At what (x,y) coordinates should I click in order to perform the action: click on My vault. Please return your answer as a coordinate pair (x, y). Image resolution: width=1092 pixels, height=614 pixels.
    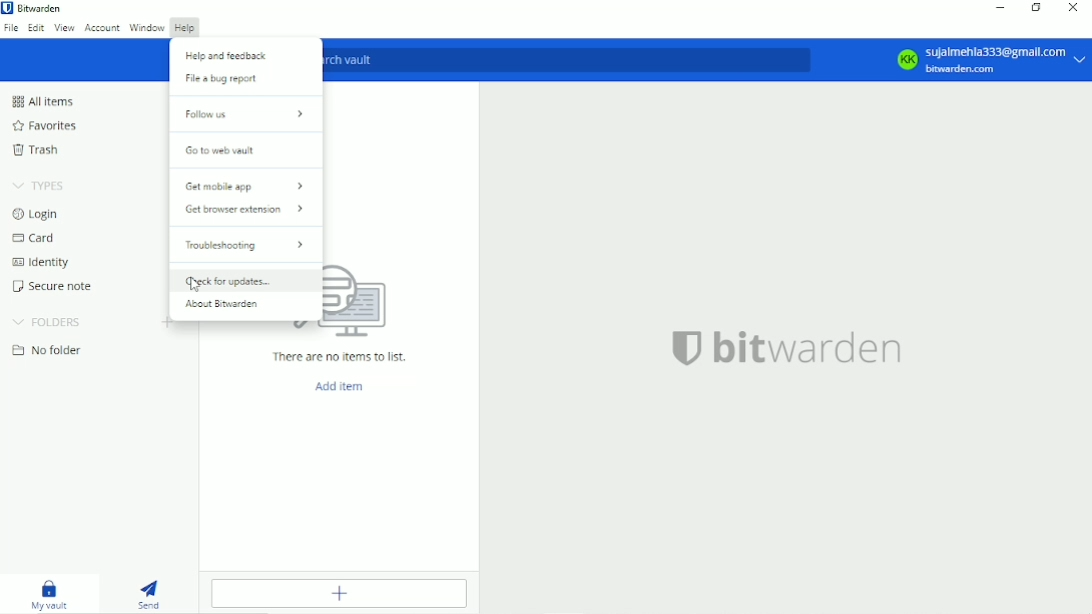
    Looking at the image, I should click on (48, 592).